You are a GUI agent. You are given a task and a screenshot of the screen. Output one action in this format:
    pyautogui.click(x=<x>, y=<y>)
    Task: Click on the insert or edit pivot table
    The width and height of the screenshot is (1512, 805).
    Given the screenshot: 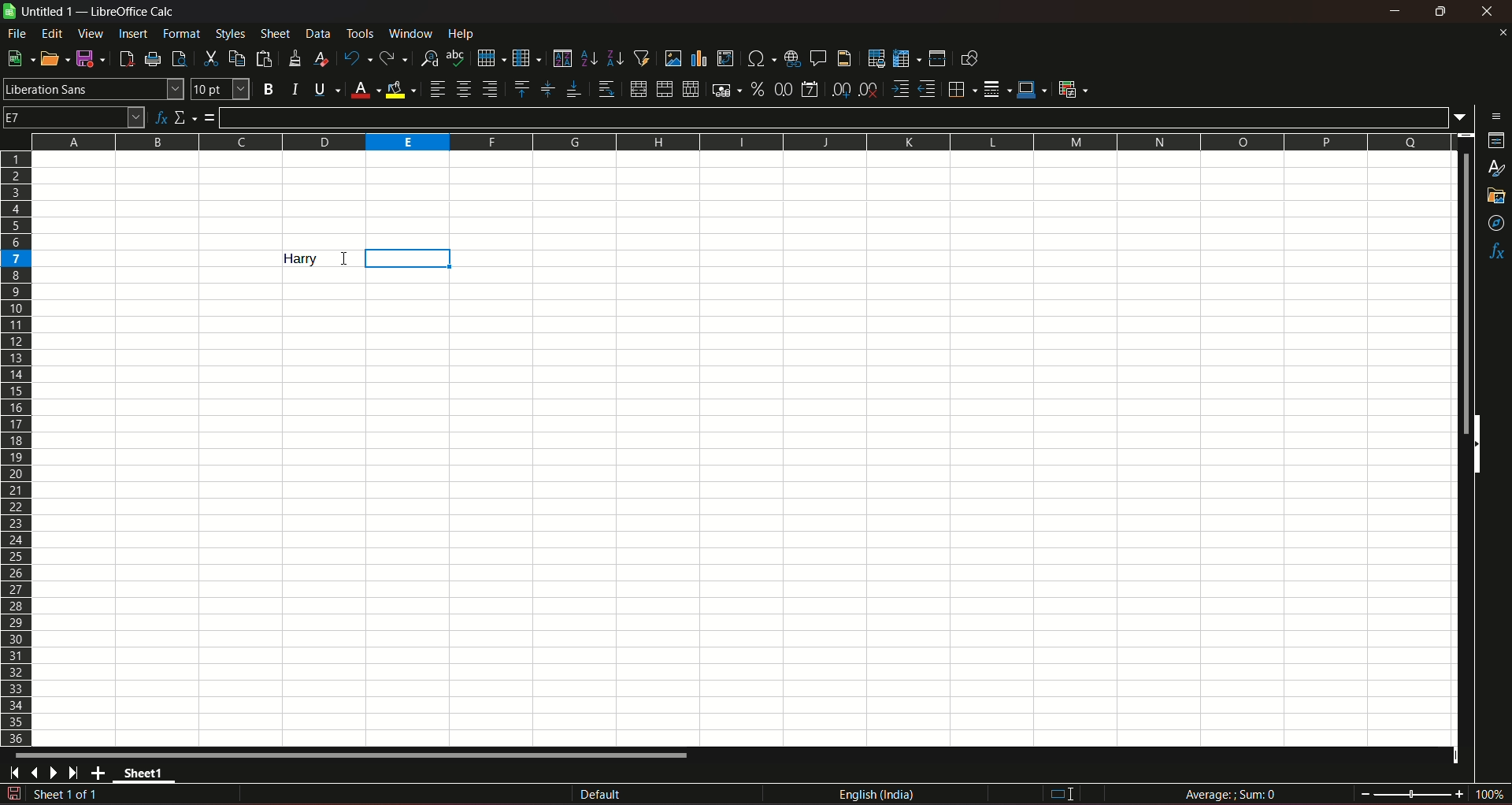 What is the action you would take?
    pyautogui.click(x=726, y=57)
    